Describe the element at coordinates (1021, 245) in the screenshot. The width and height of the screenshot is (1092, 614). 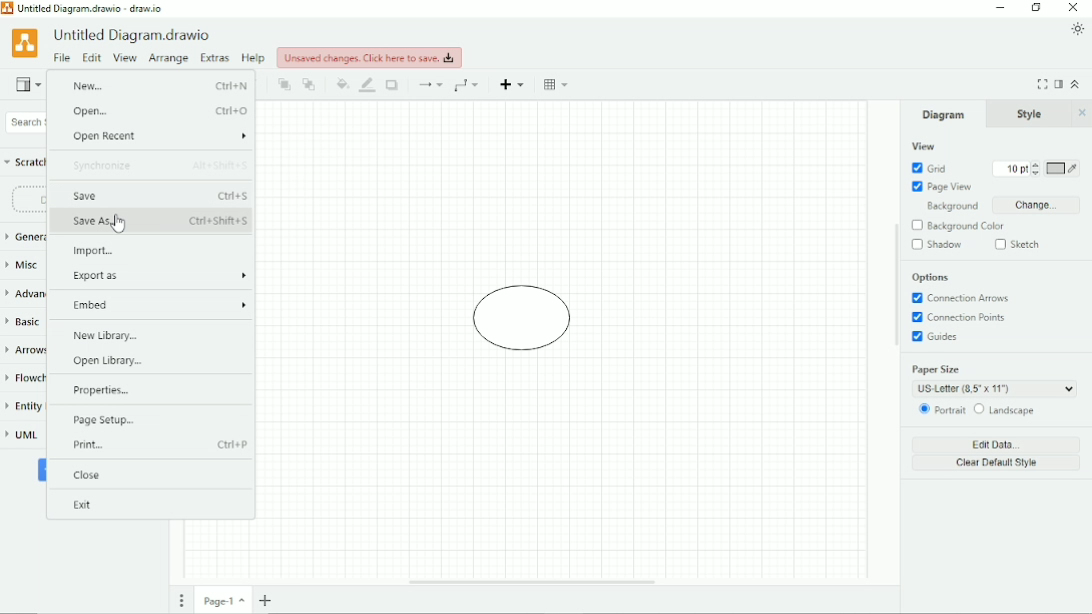
I see `Sketch` at that location.